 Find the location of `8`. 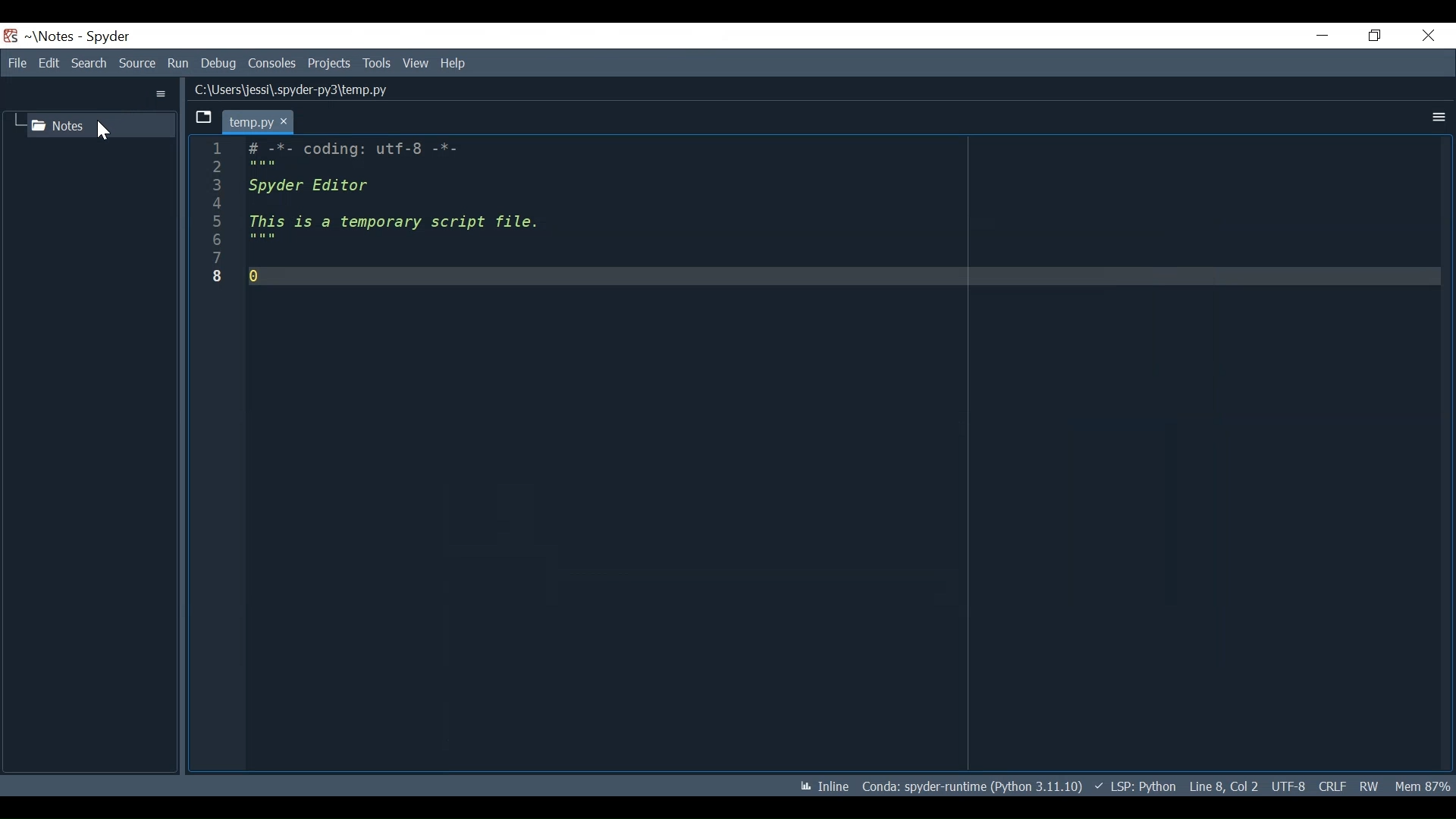

8 is located at coordinates (213, 278).